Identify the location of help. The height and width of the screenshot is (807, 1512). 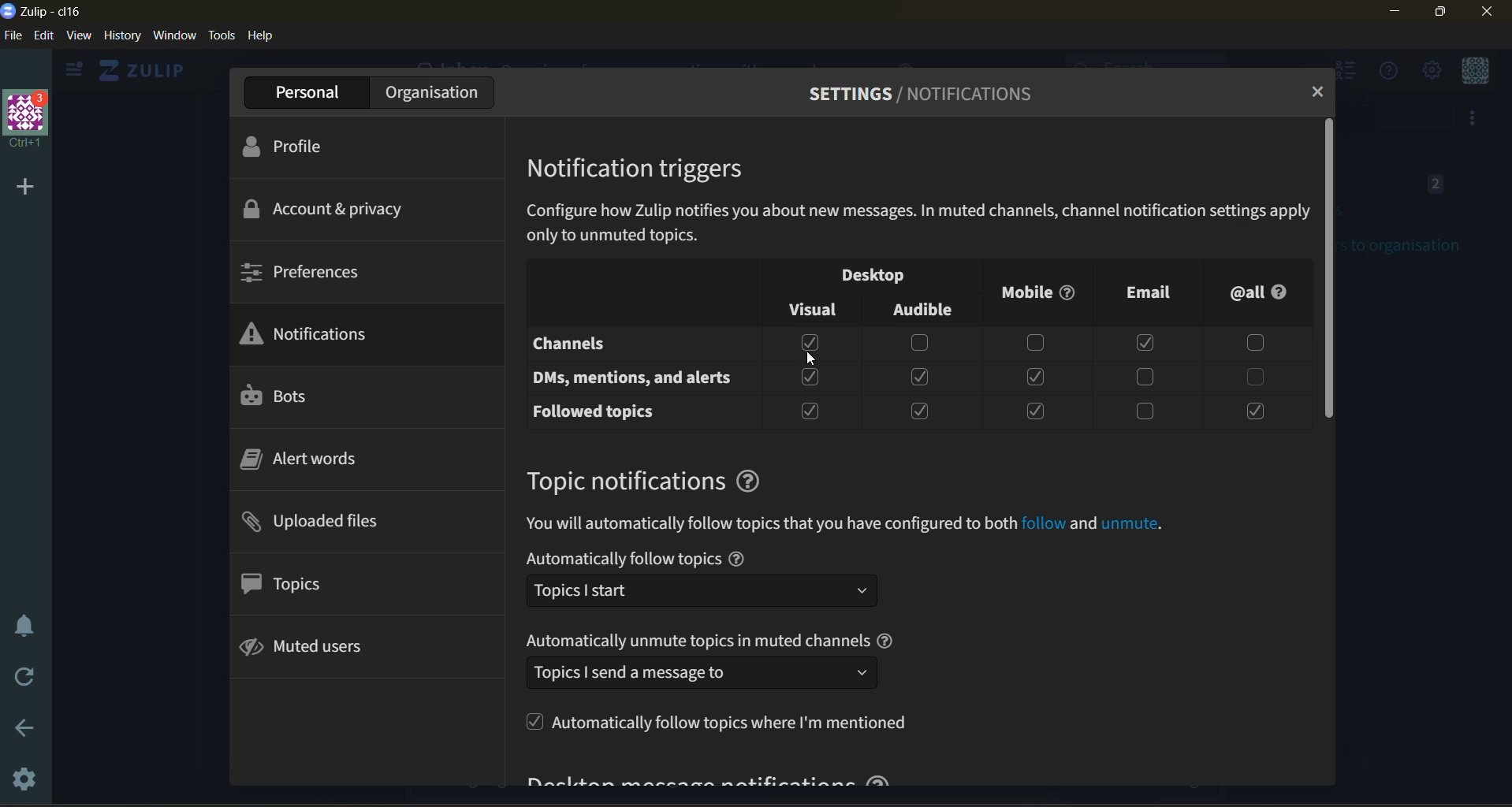
(887, 640).